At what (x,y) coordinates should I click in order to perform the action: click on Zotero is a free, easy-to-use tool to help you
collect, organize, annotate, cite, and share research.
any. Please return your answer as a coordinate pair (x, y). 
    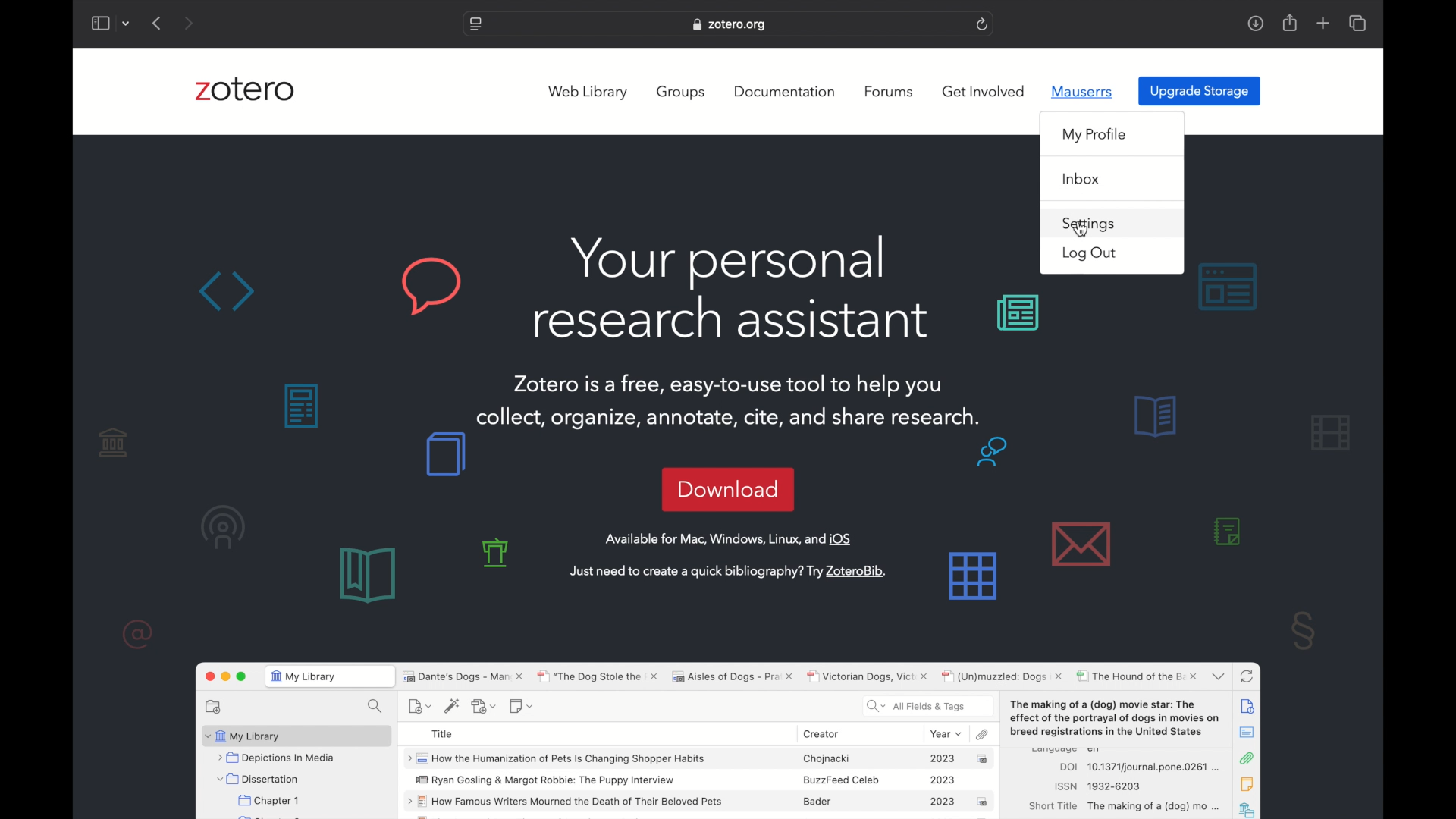
    Looking at the image, I should click on (743, 401).